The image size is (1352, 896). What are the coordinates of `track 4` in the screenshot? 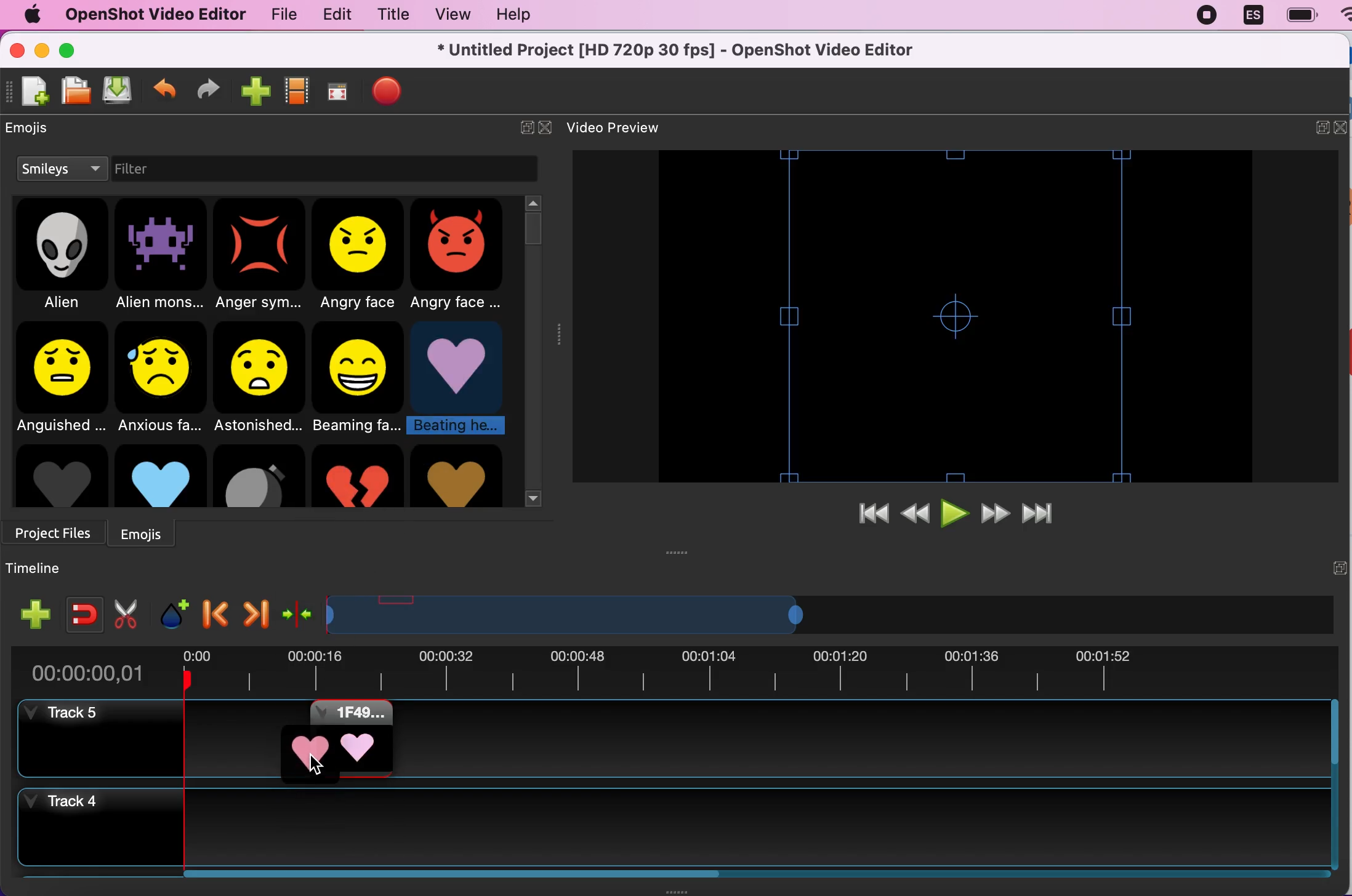 It's located at (672, 827).